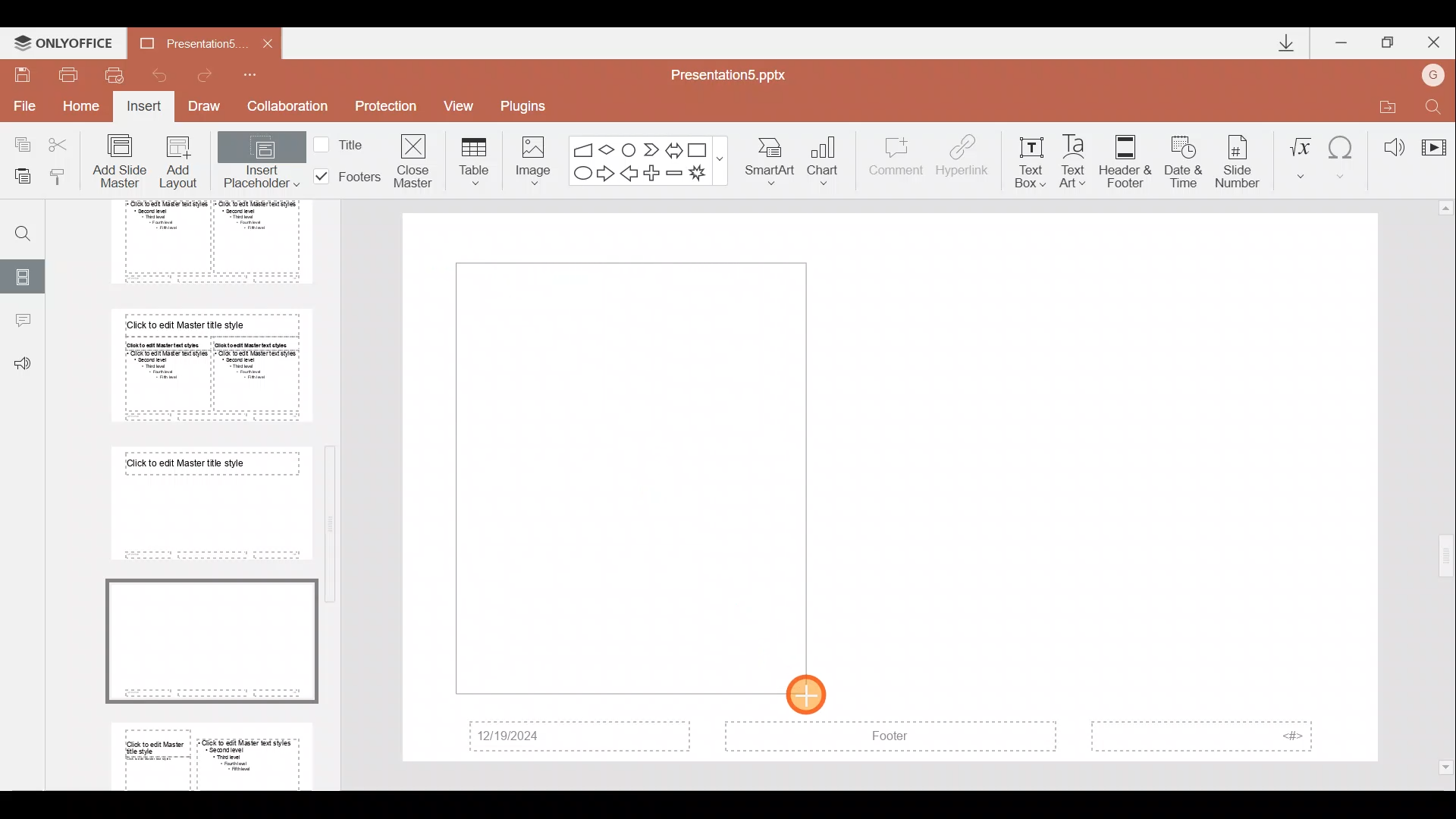 Image resolution: width=1456 pixels, height=819 pixels. I want to click on Comment, so click(896, 163).